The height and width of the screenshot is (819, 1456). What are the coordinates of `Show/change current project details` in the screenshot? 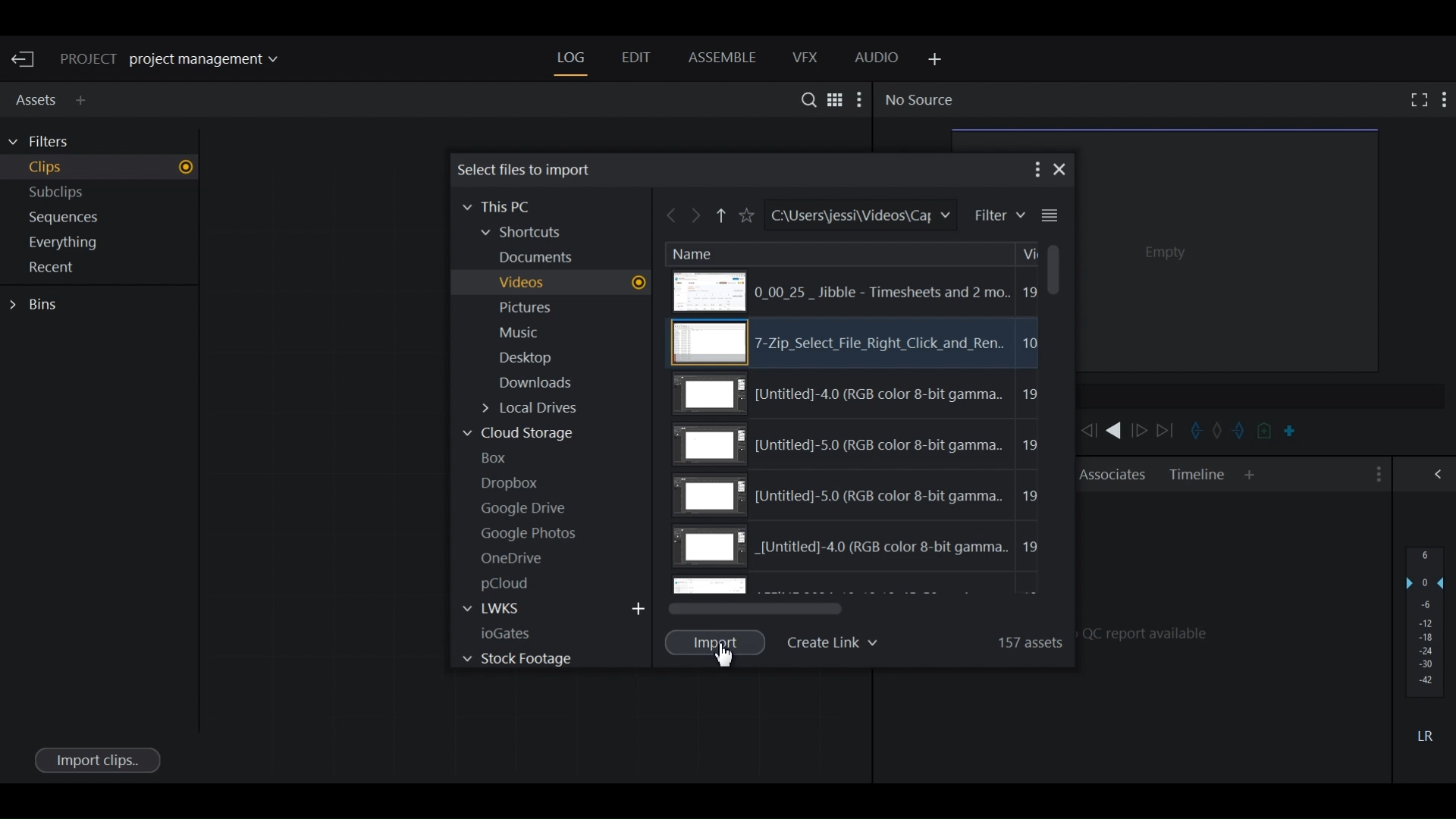 It's located at (180, 60).